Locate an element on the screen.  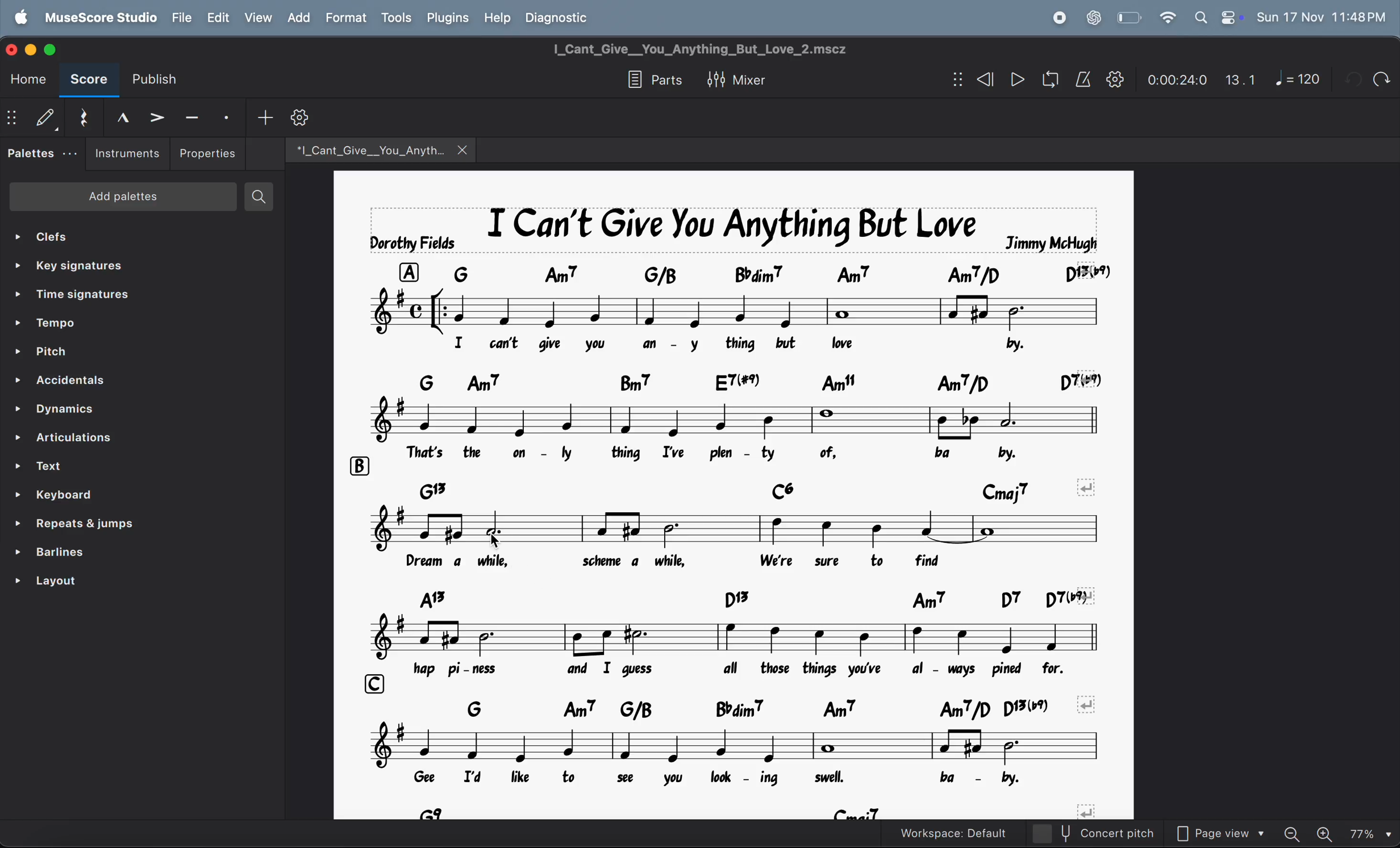
chord symbols is located at coordinates (757, 599).